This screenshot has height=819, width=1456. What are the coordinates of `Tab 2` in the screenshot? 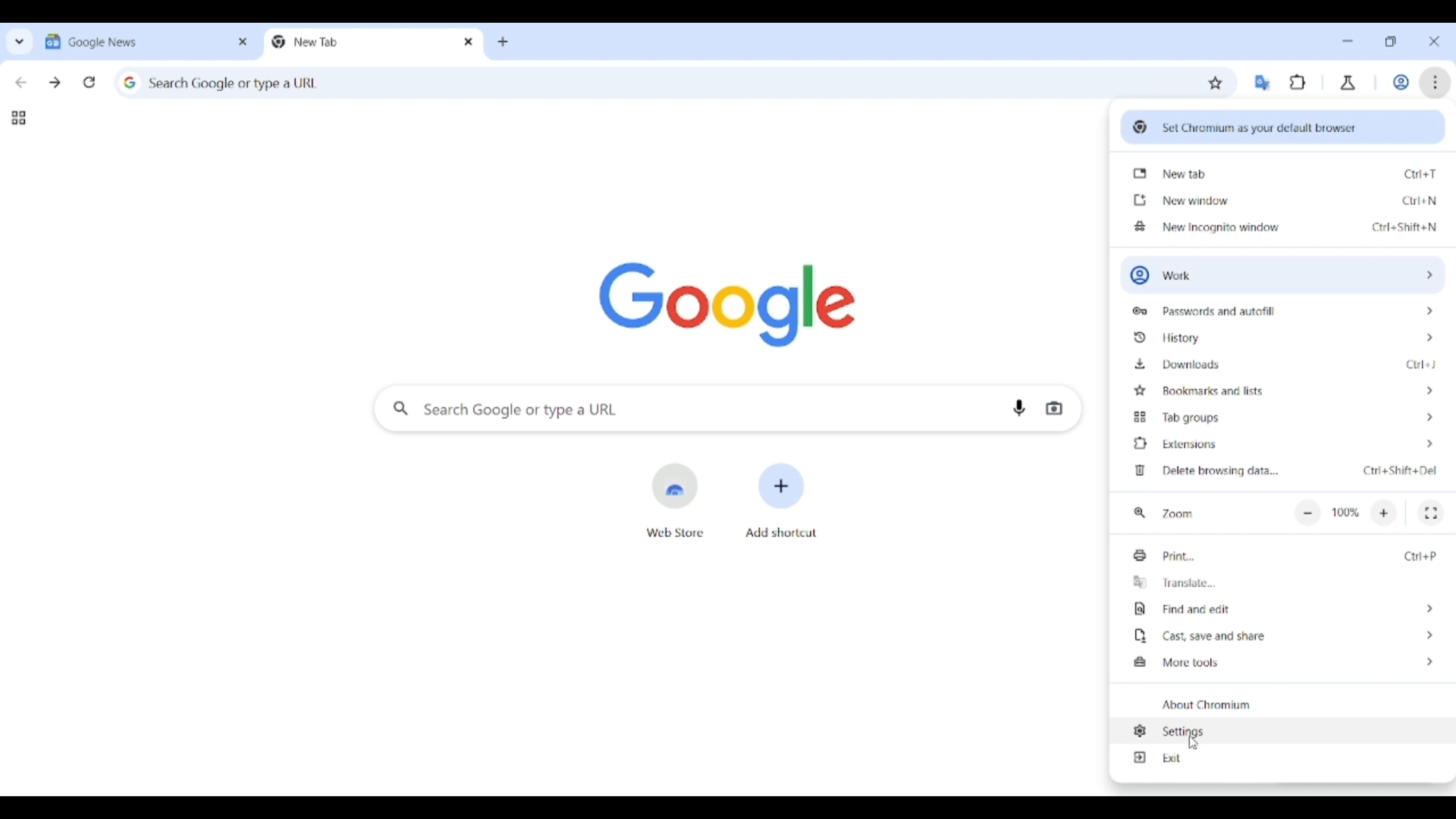 It's located at (360, 42).